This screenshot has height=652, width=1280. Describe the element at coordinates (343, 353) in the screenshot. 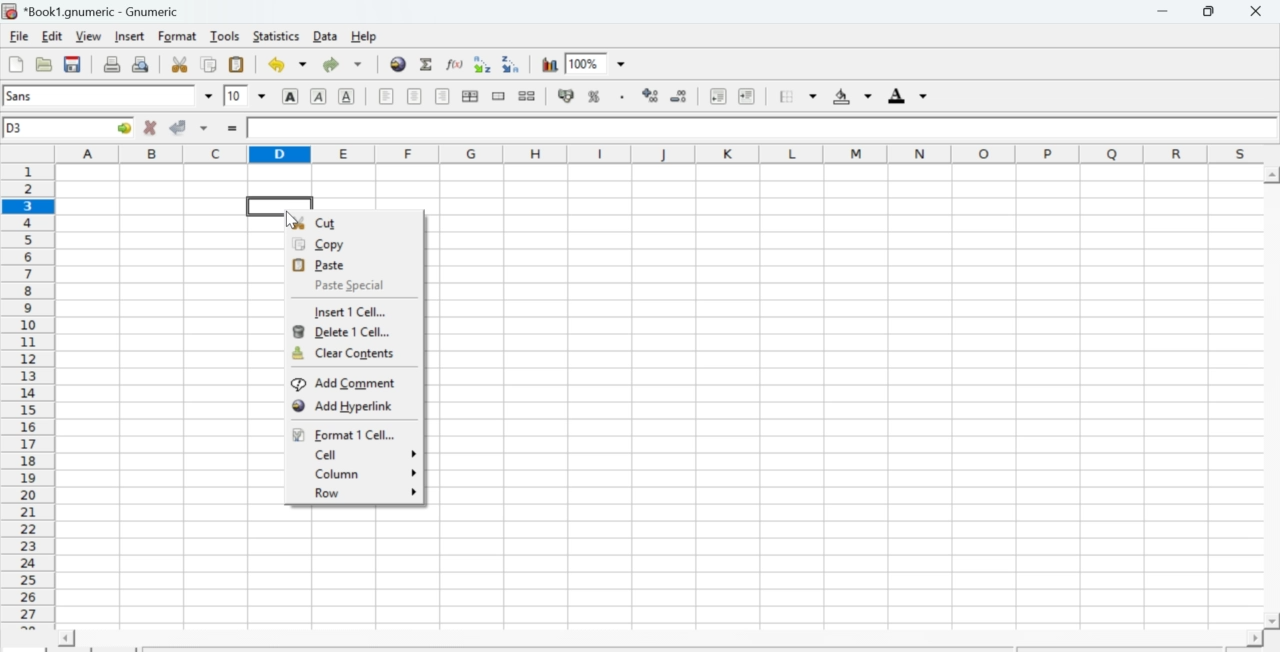

I see `Clear contents` at that location.